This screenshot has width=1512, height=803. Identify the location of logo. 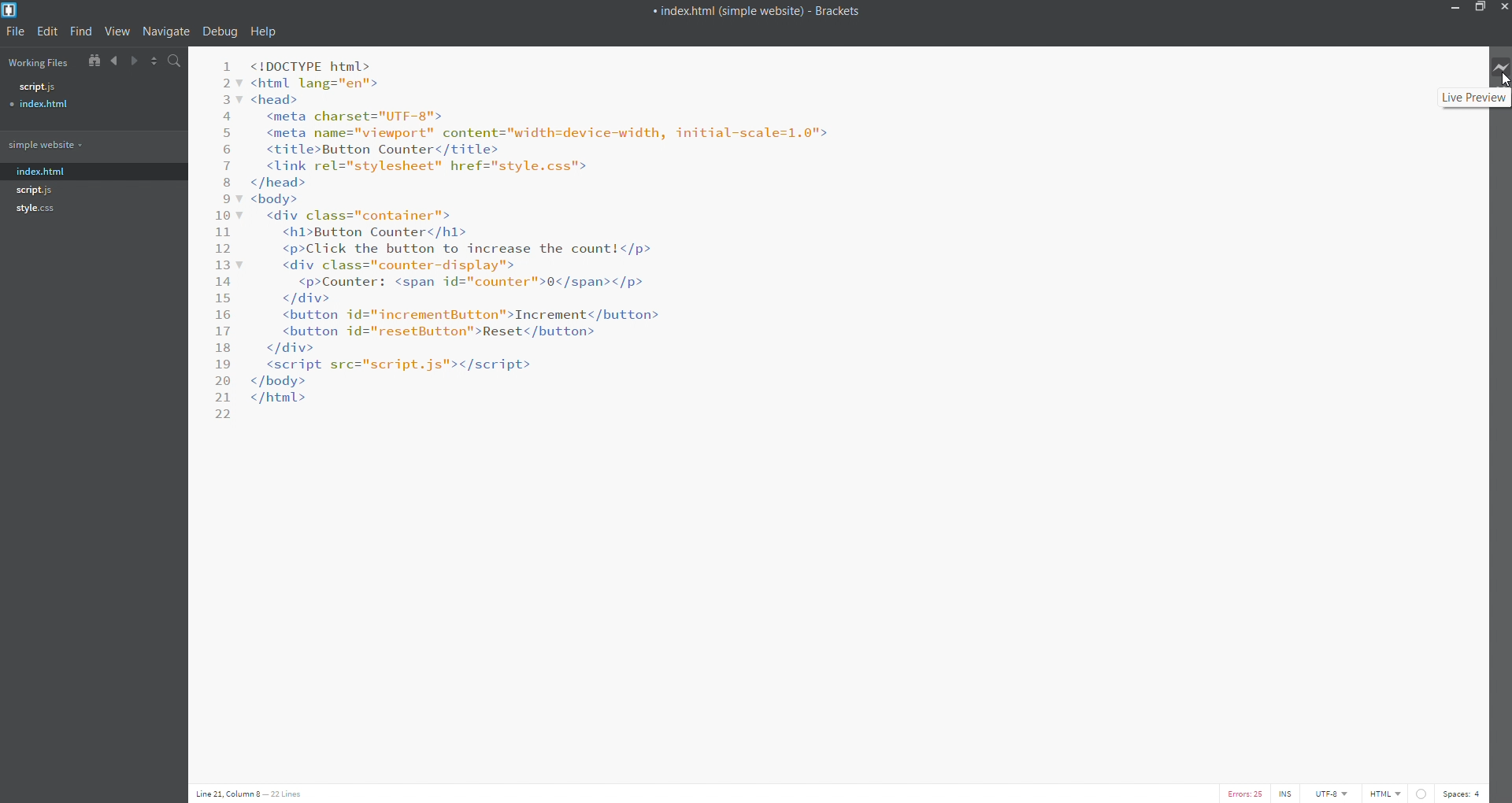
(13, 9).